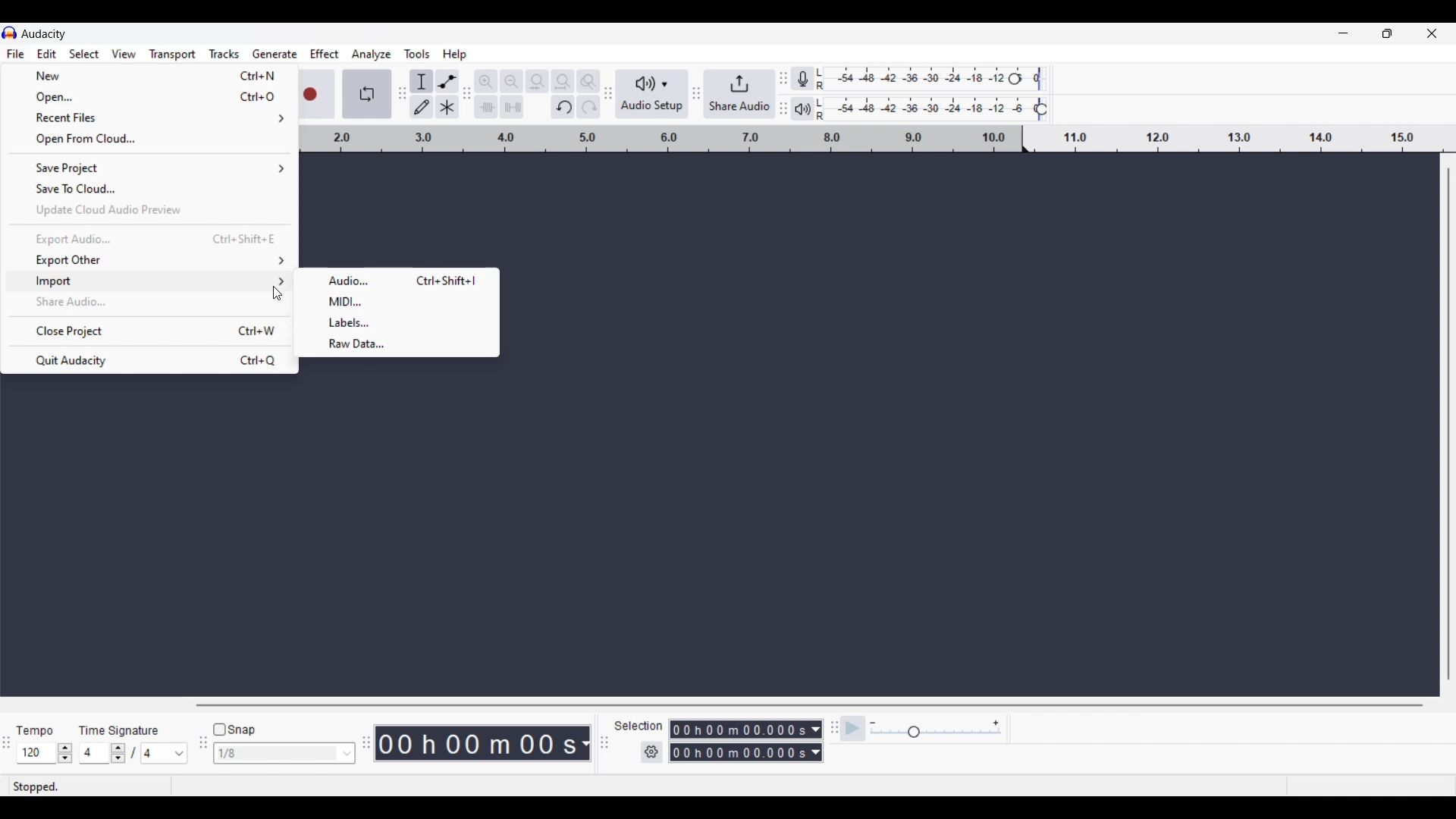 The width and height of the screenshot is (1456, 819). I want to click on signature time tool bar, so click(6, 744).